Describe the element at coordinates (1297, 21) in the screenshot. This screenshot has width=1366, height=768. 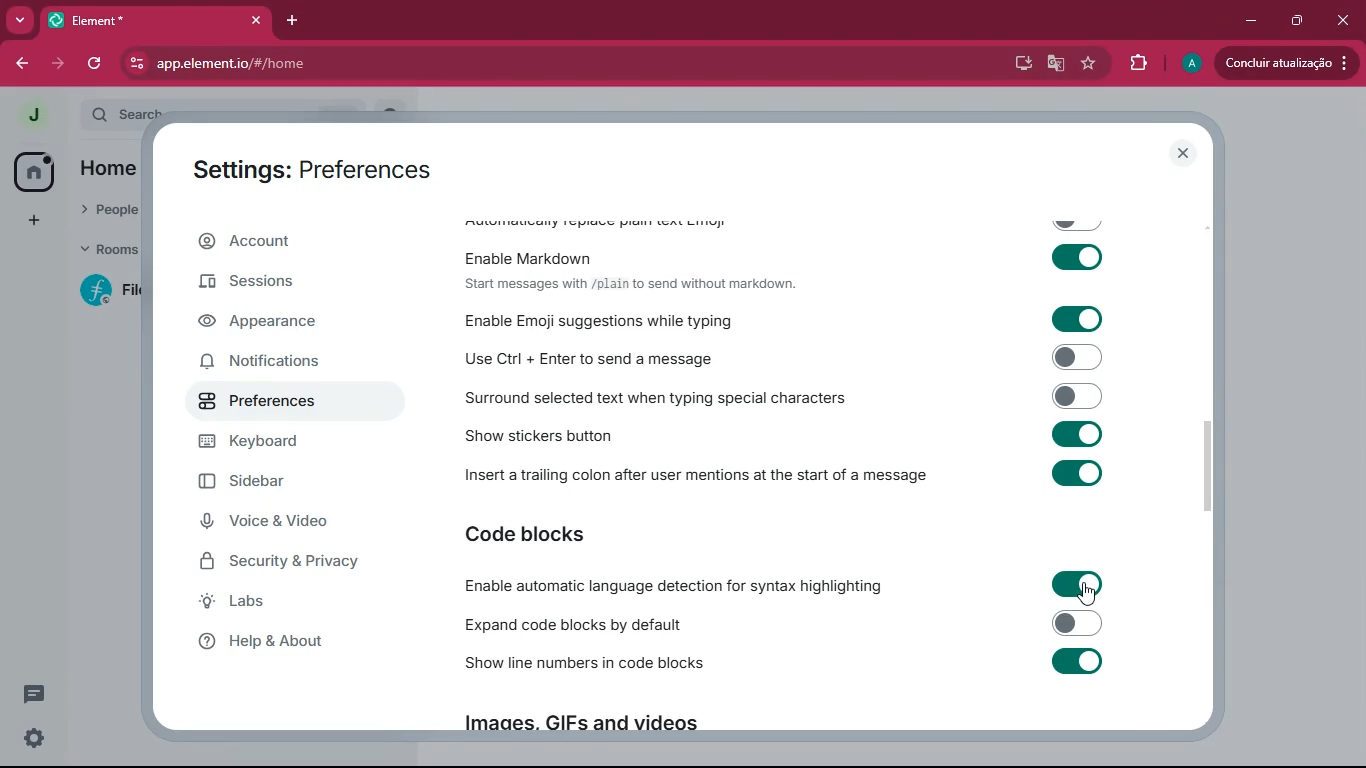
I see `maximize` at that location.